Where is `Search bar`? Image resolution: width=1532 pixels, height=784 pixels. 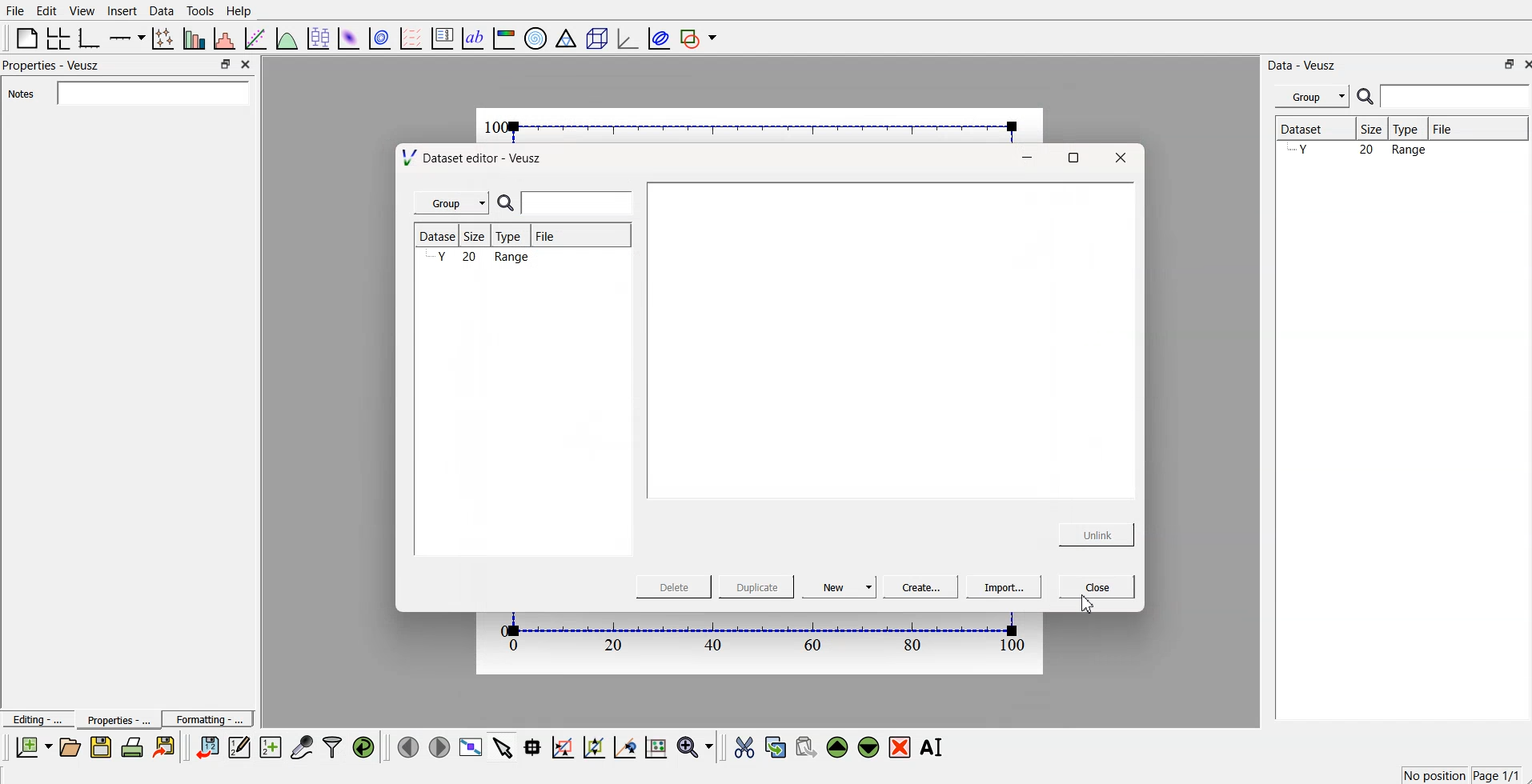
Search bar is located at coordinates (1457, 97).